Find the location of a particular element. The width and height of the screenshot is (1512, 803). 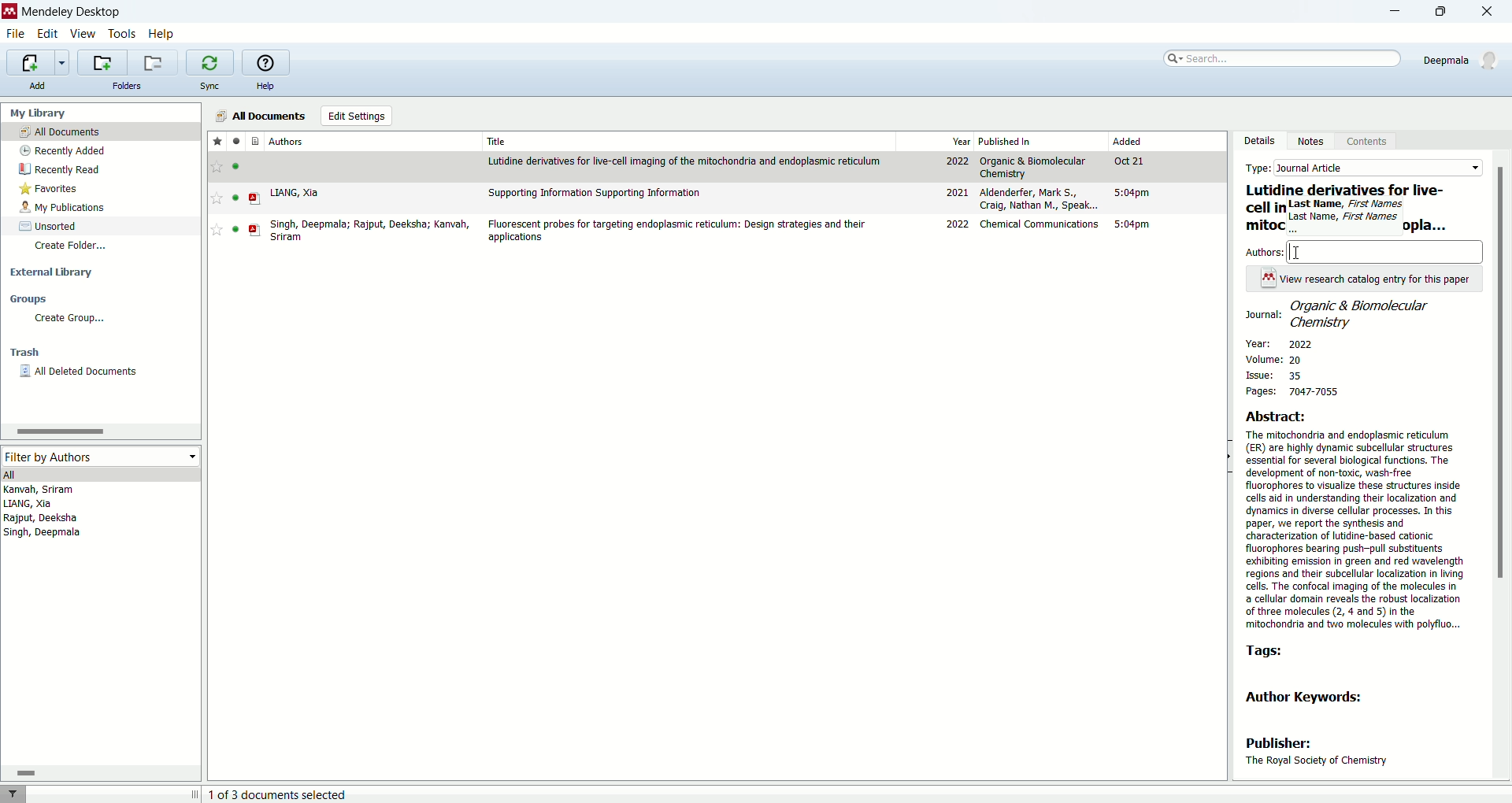

logo is located at coordinates (9, 12).